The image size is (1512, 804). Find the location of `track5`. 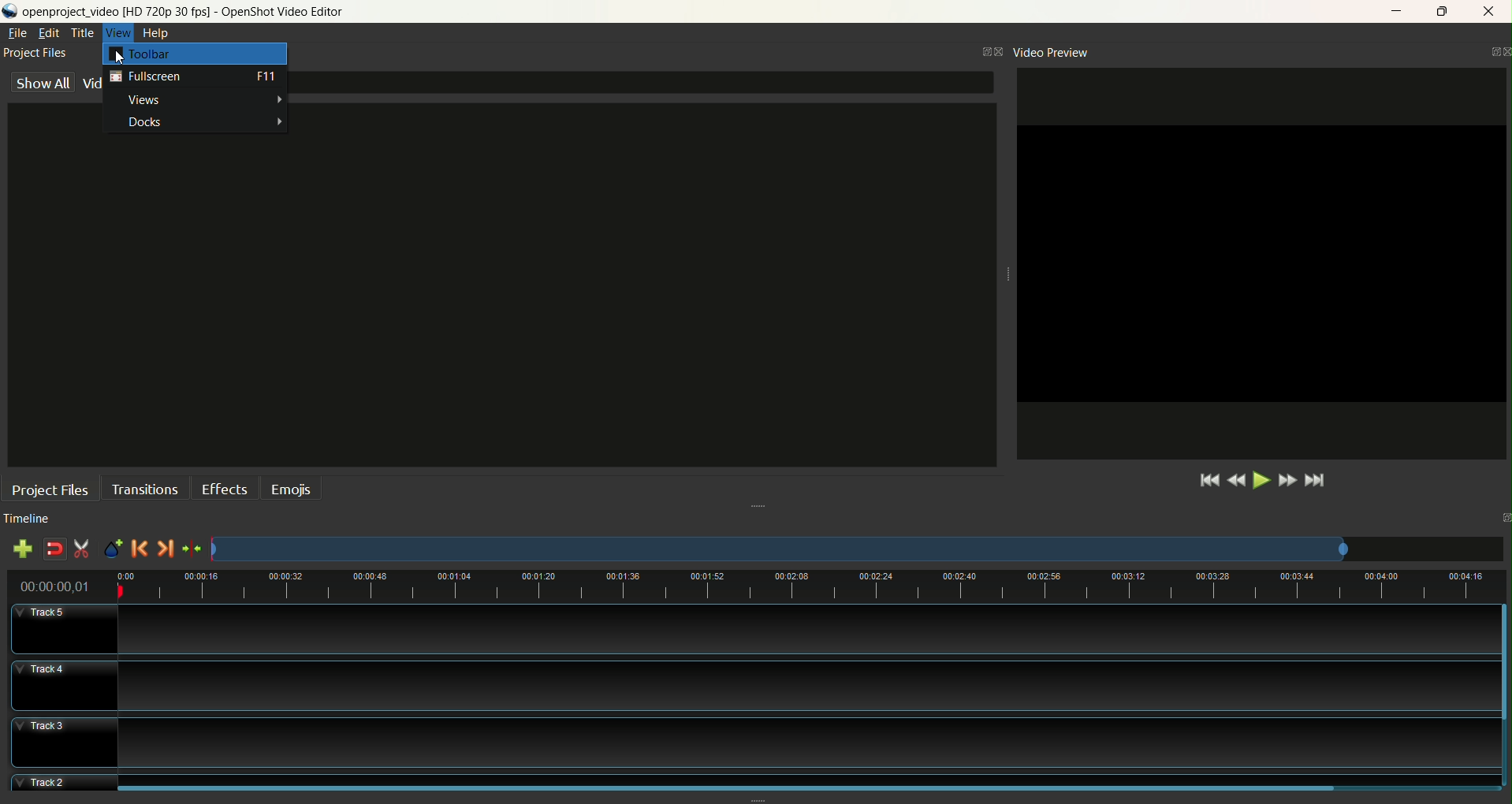

track5 is located at coordinates (758, 628).